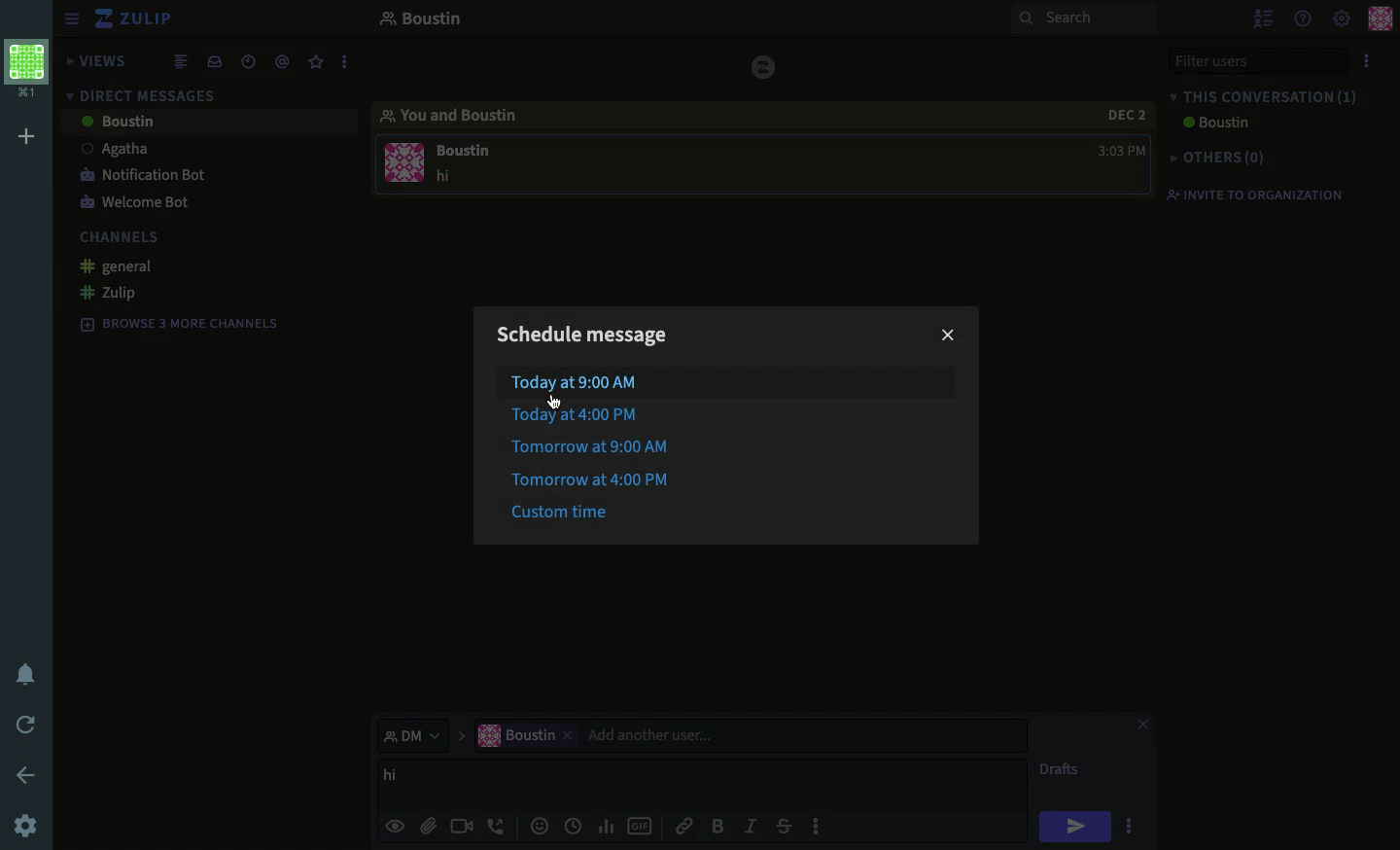 The width and height of the screenshot is (1400, 850). What do you see at coordinates (606, 825) in the screenshot?
I see `chart` at bounding box center [606, 825].